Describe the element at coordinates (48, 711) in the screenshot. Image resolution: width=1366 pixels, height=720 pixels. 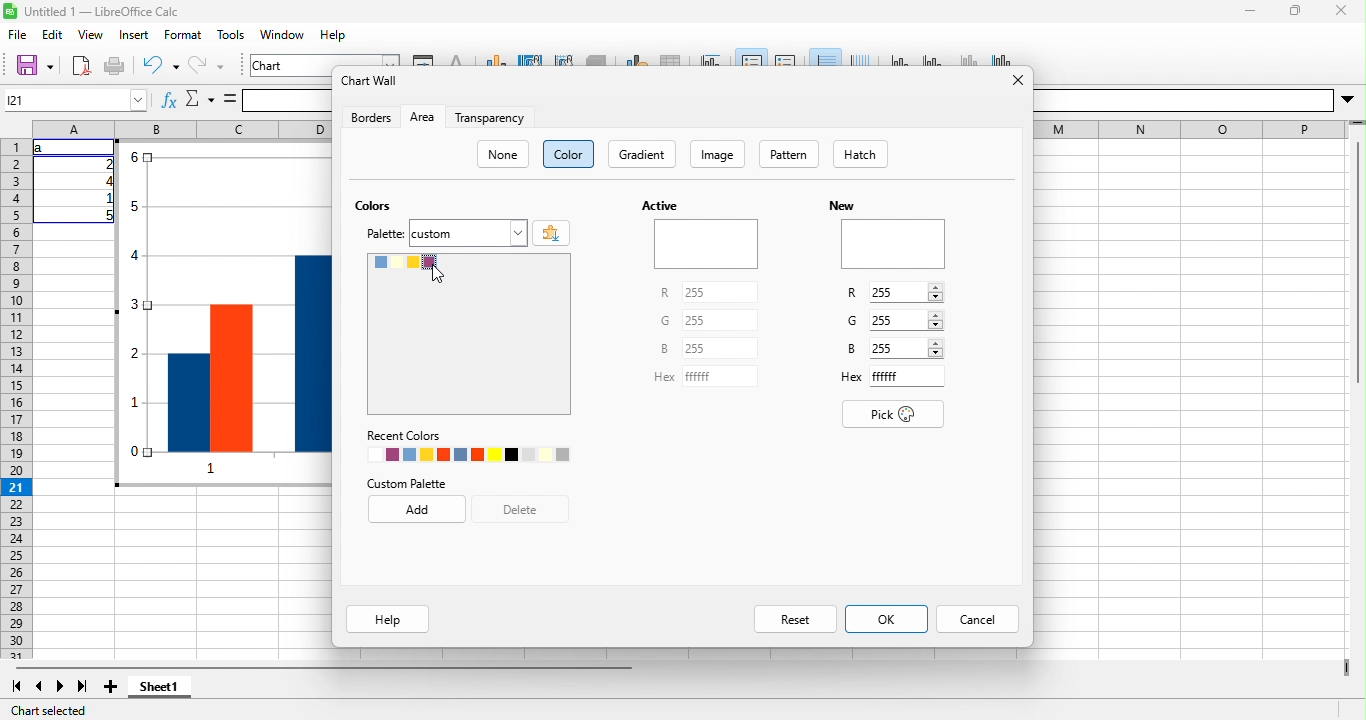
I see `chart selected` at that location.